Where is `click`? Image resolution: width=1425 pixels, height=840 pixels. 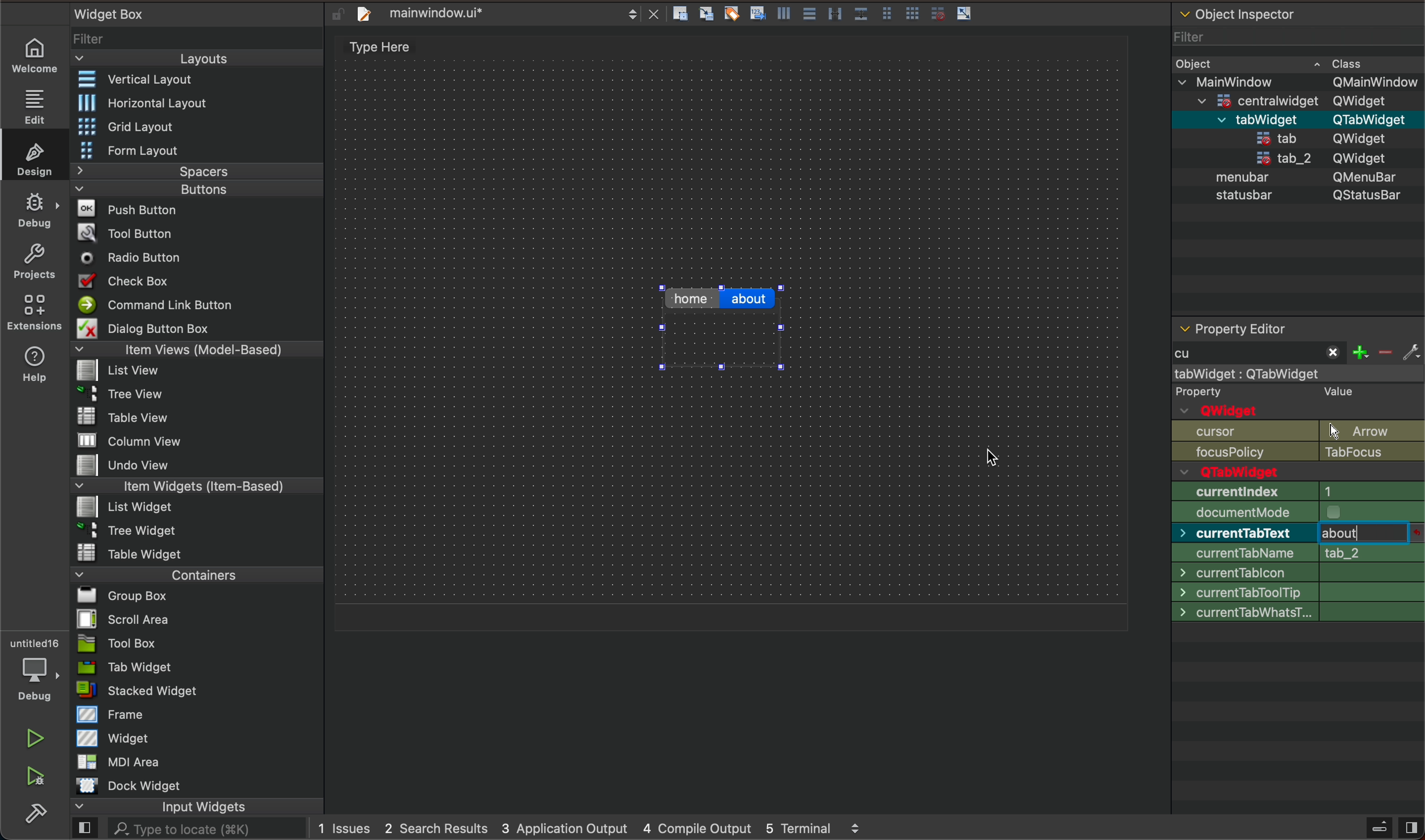 click is located at coordinates (1372, 535).